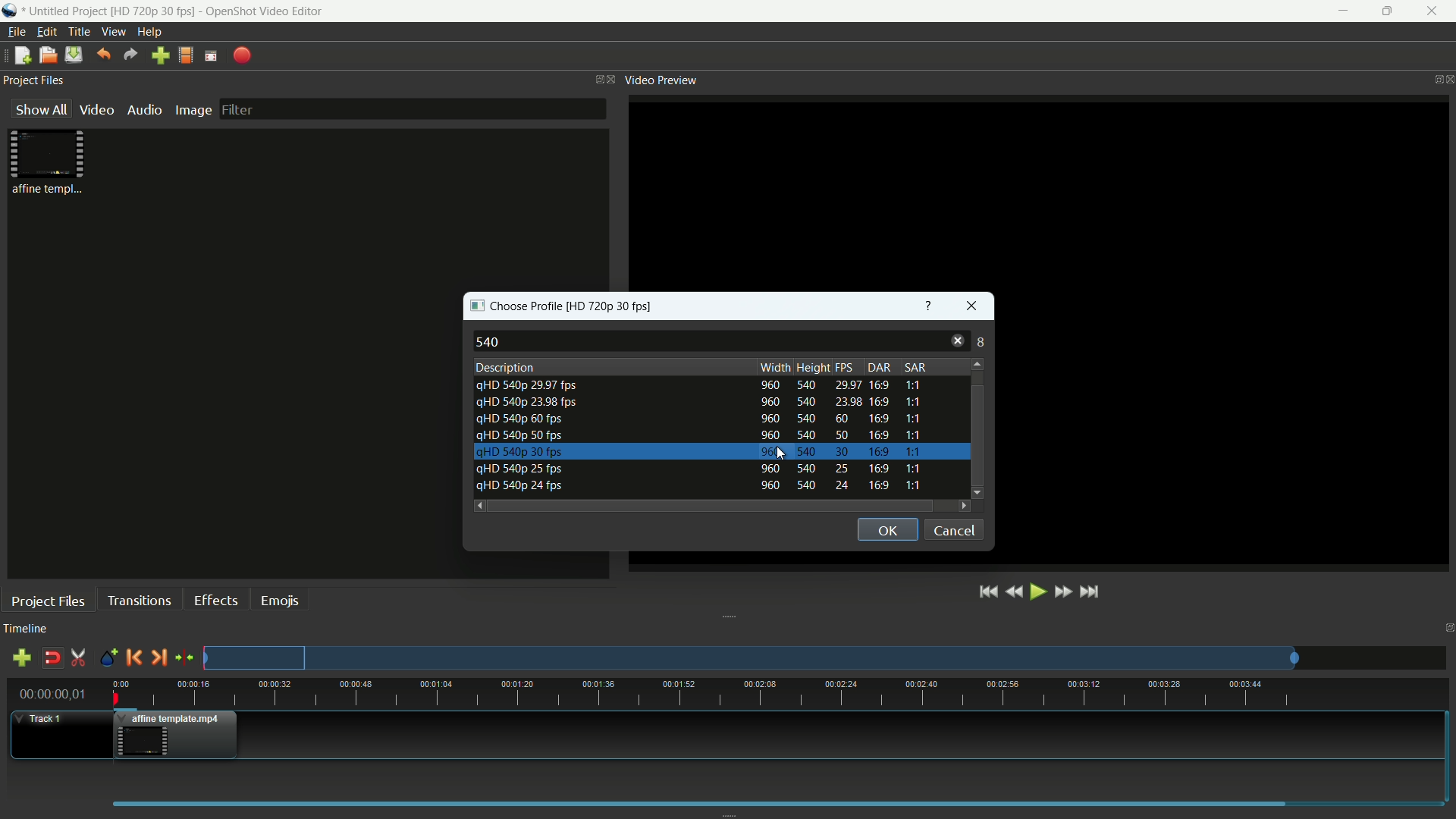 The width and height of the screenshot is (1456, 819). Describe the element at coordinates (877, 366) in the screenshot. I see `dar` at that location.